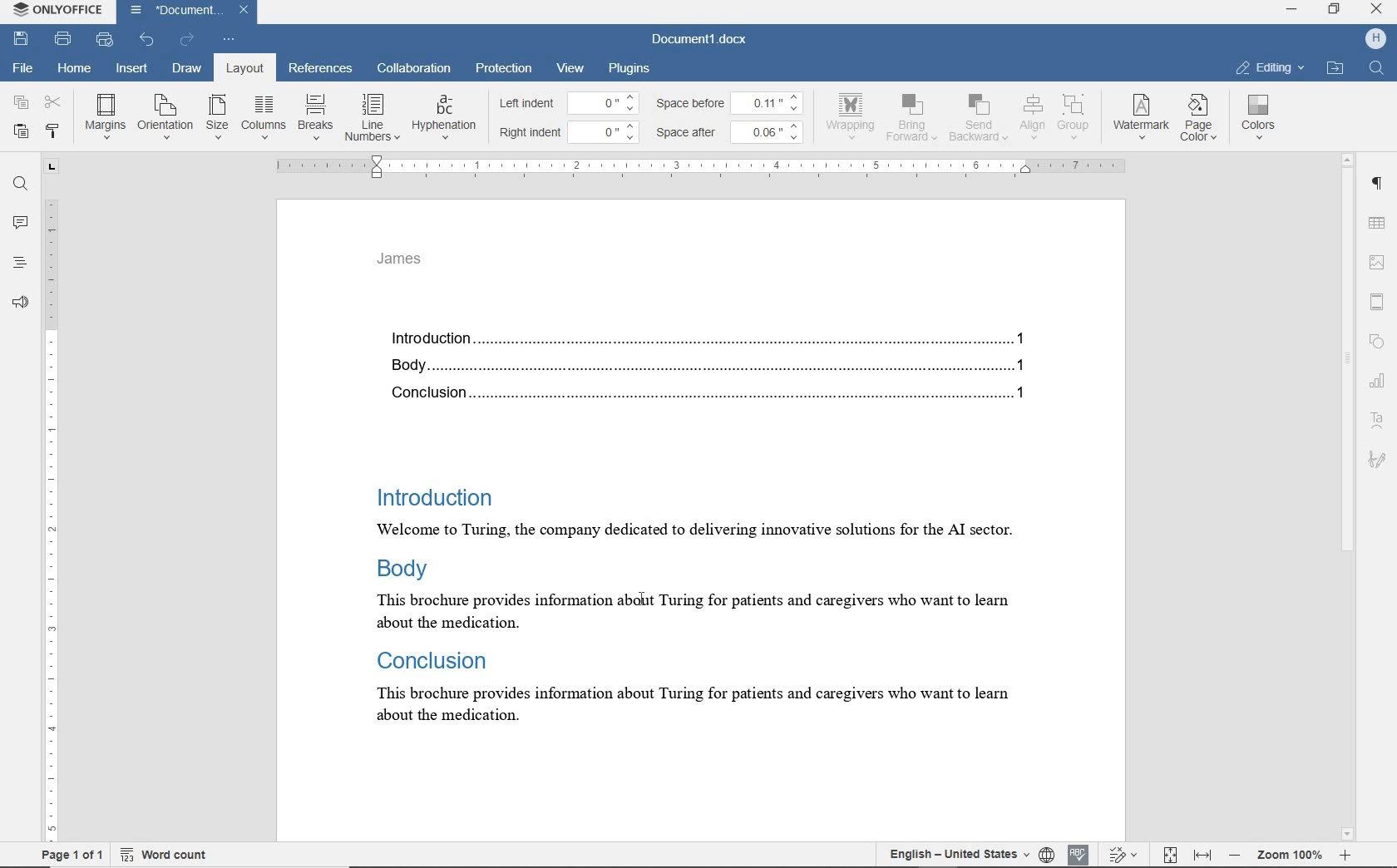  I want to click on cut, so click(54, 101).